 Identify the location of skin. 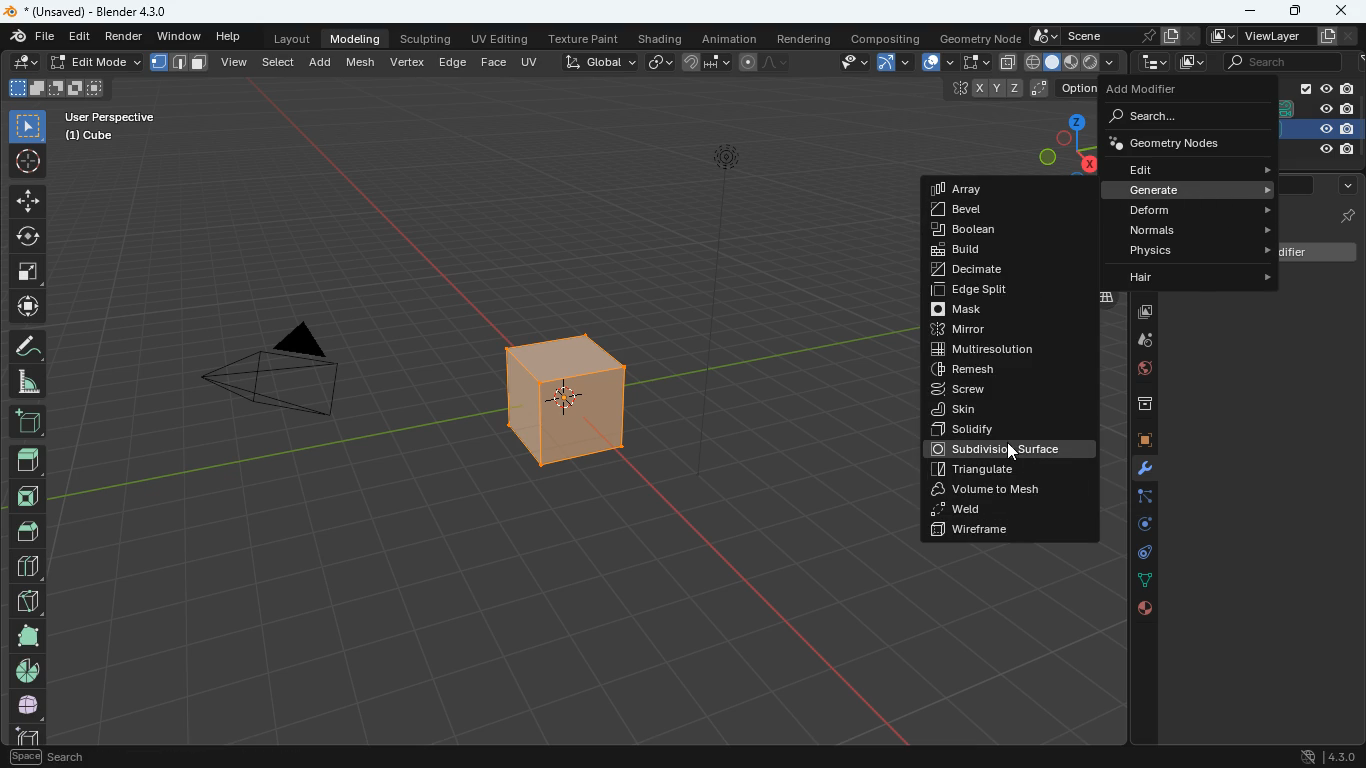
(992, 410).